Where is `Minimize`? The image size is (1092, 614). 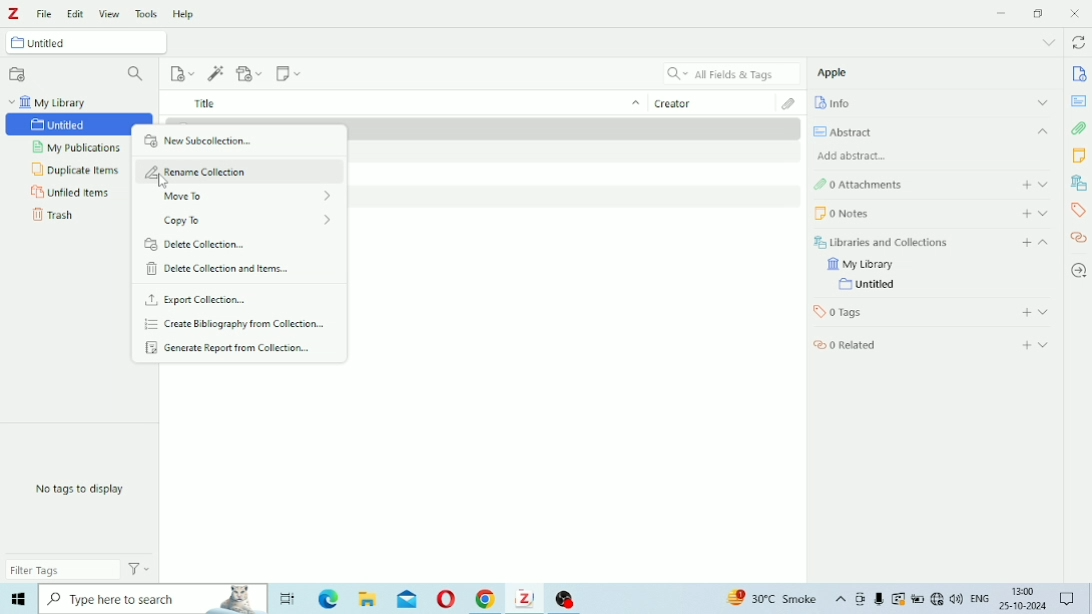
Minimize is located at coordinates (1001, 14).